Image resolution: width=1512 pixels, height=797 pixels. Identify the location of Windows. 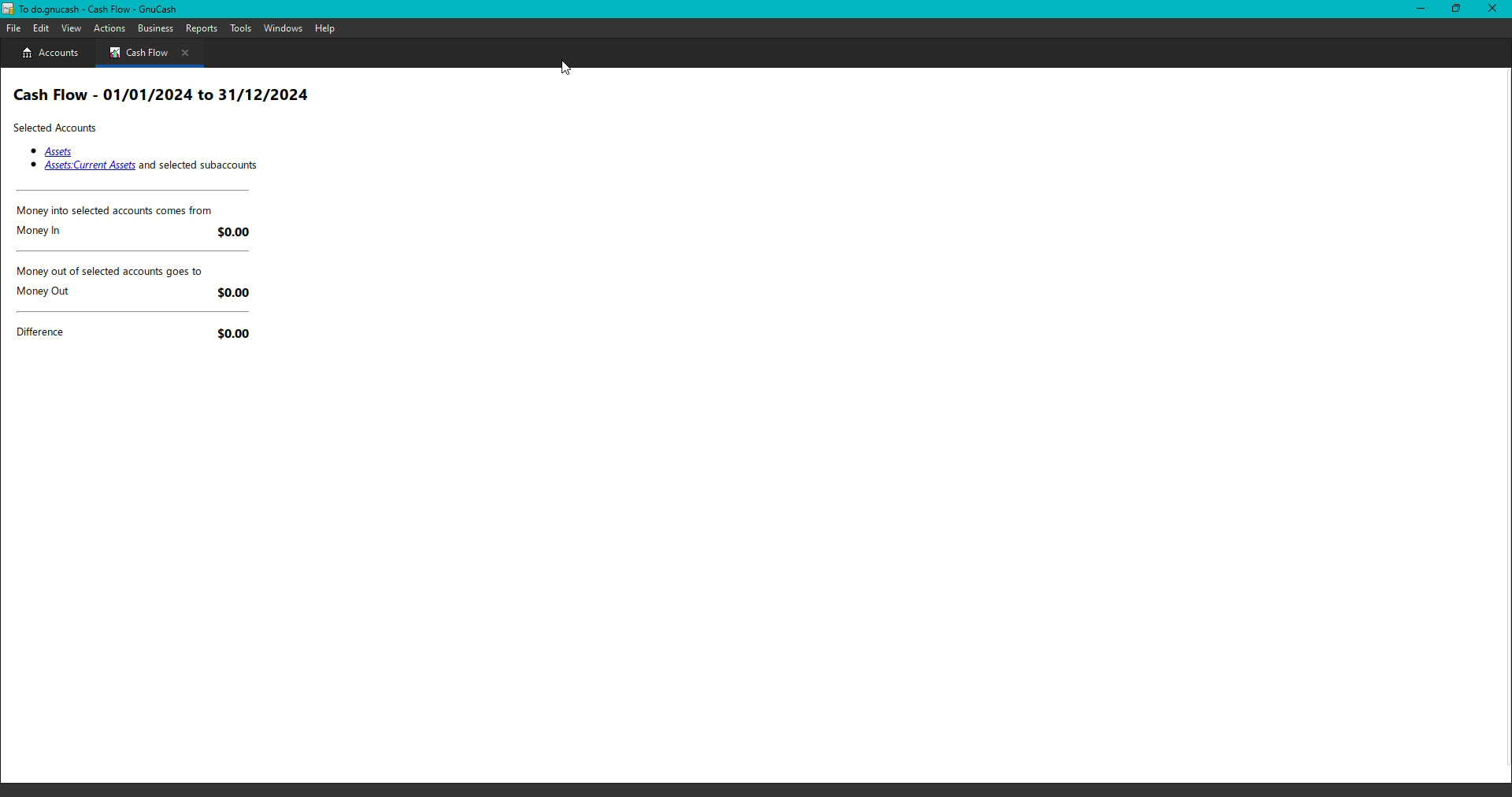
(286, 28).